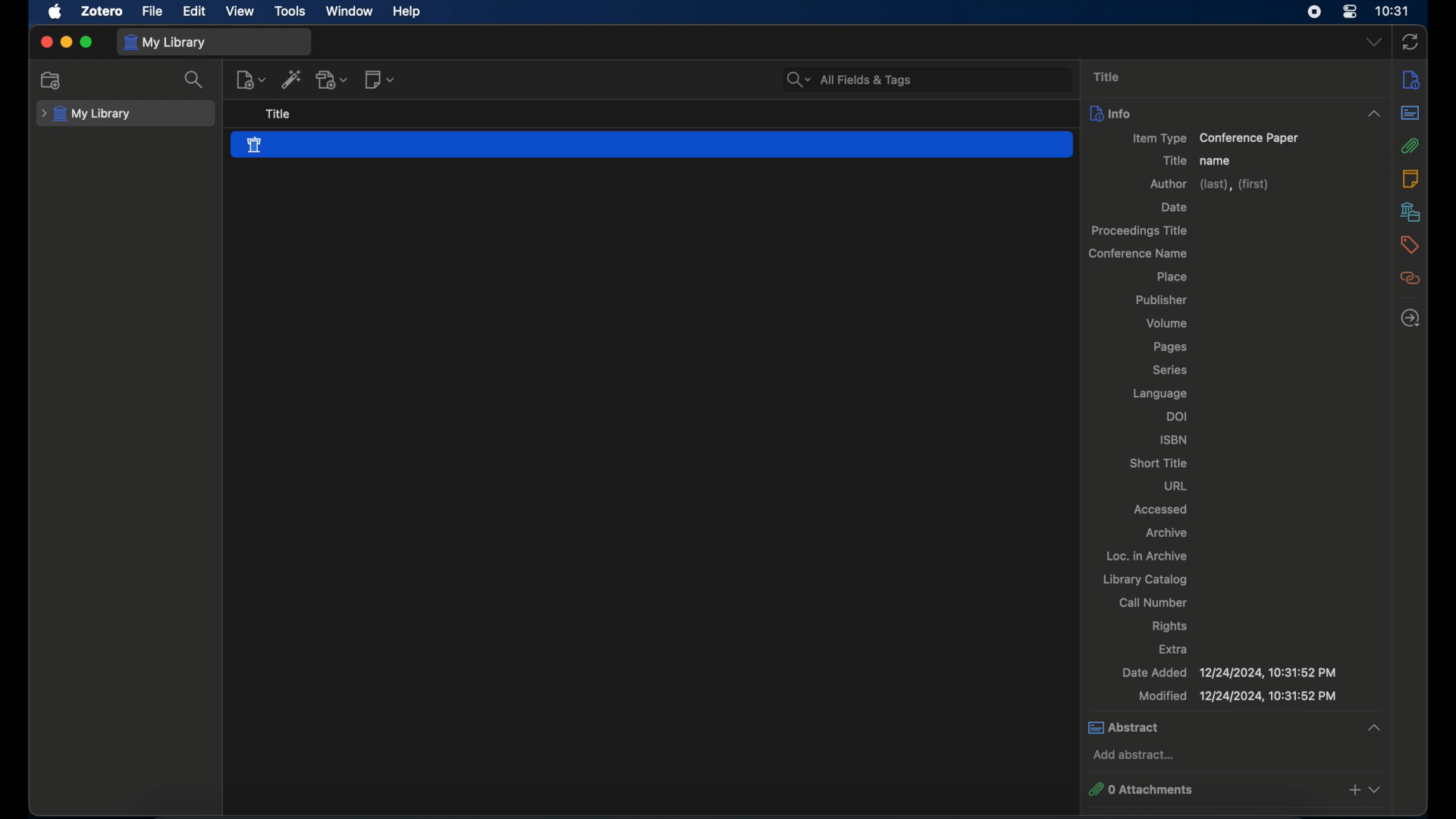 This screenshot has height=819, width=1456. I want to click on isbn, so click(1174, 440).